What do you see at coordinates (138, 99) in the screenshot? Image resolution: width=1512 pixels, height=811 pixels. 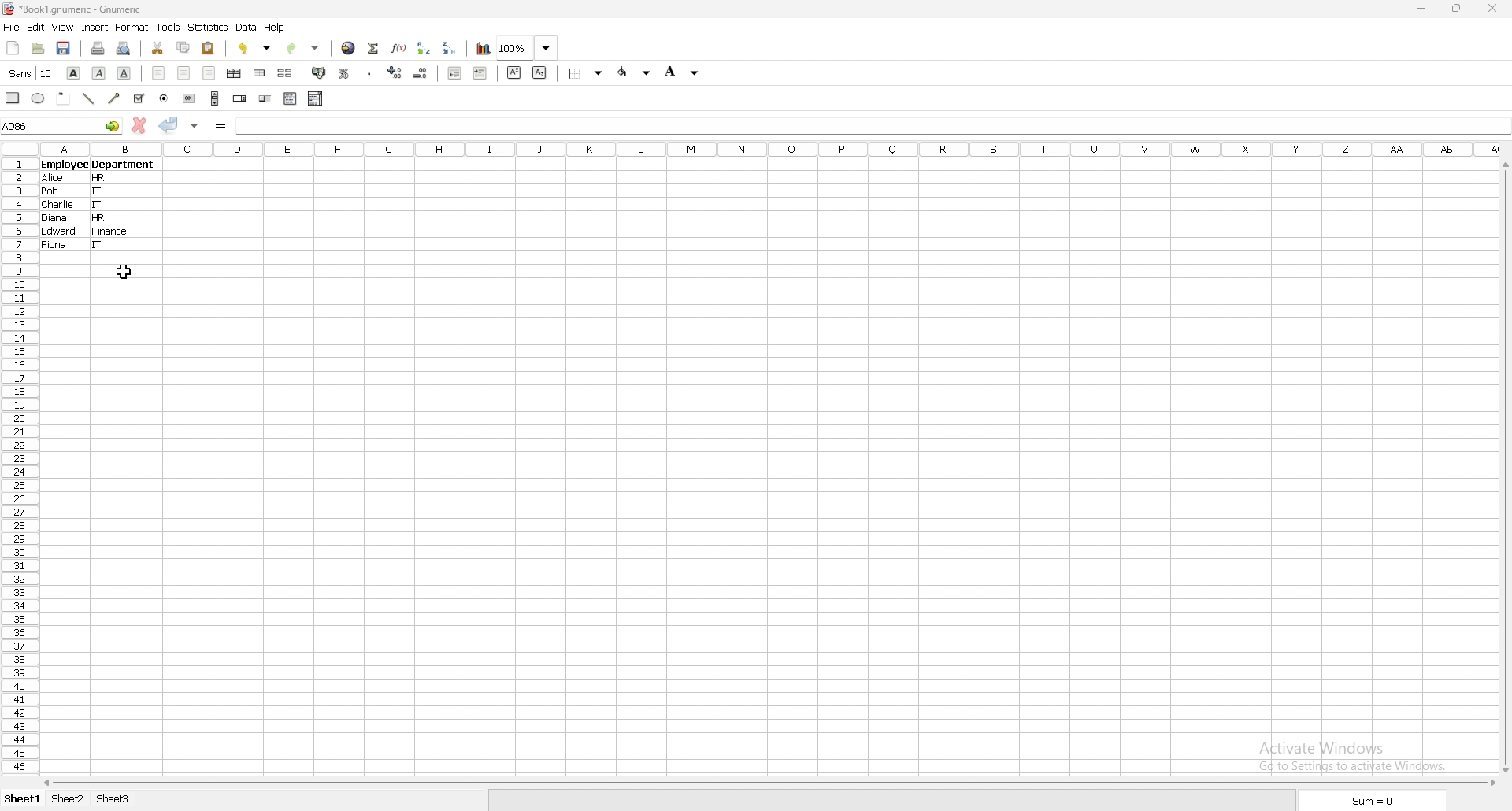 I see `tickbox` at bounding box center [138, 99].